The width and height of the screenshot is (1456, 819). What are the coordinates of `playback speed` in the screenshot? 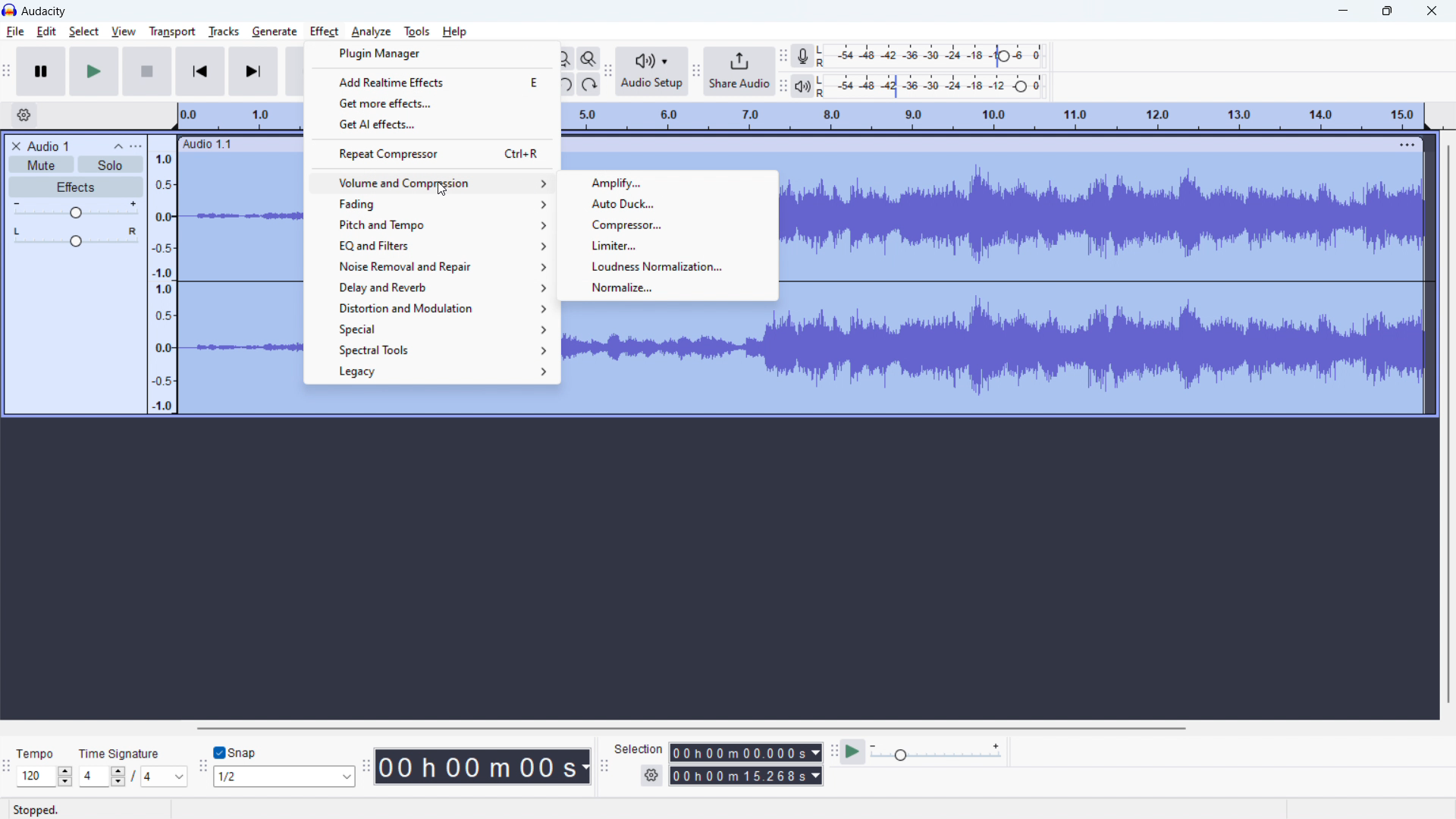 It's located at (937, 752).